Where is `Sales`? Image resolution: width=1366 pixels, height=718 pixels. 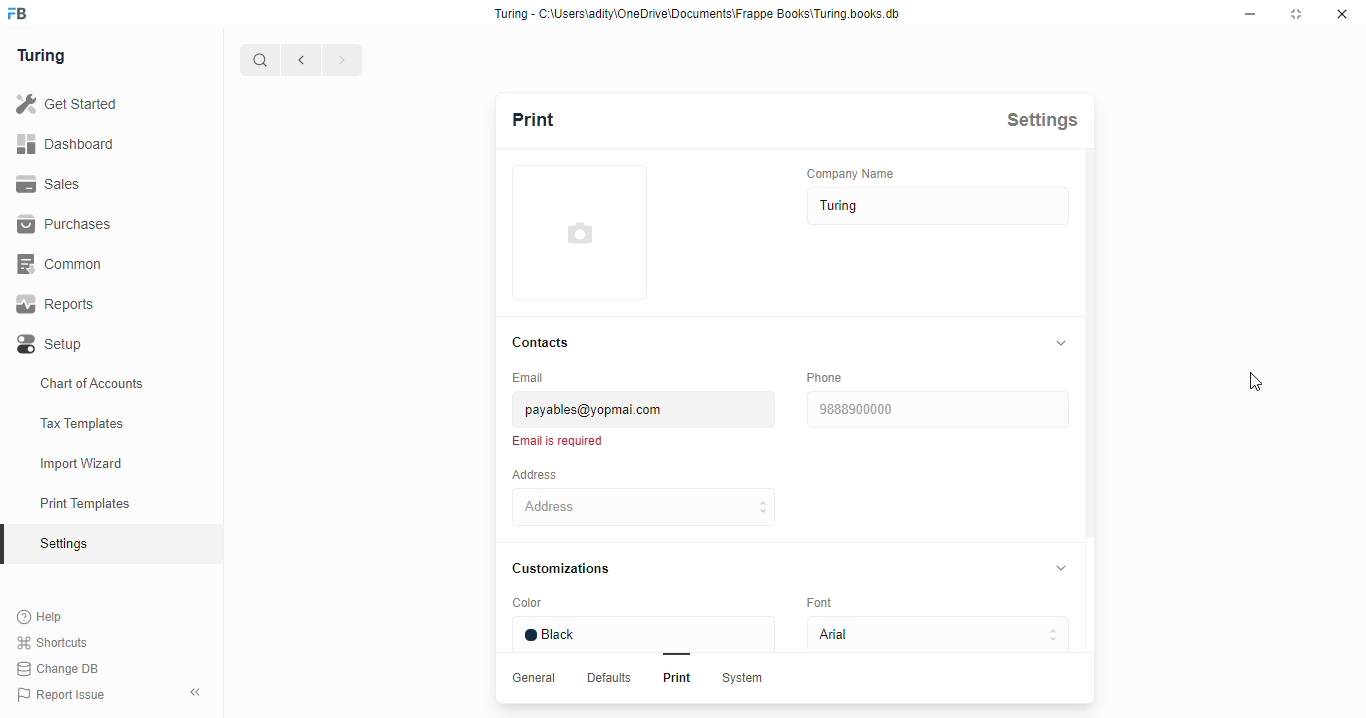
Sales is located at coordinates (58, 184).